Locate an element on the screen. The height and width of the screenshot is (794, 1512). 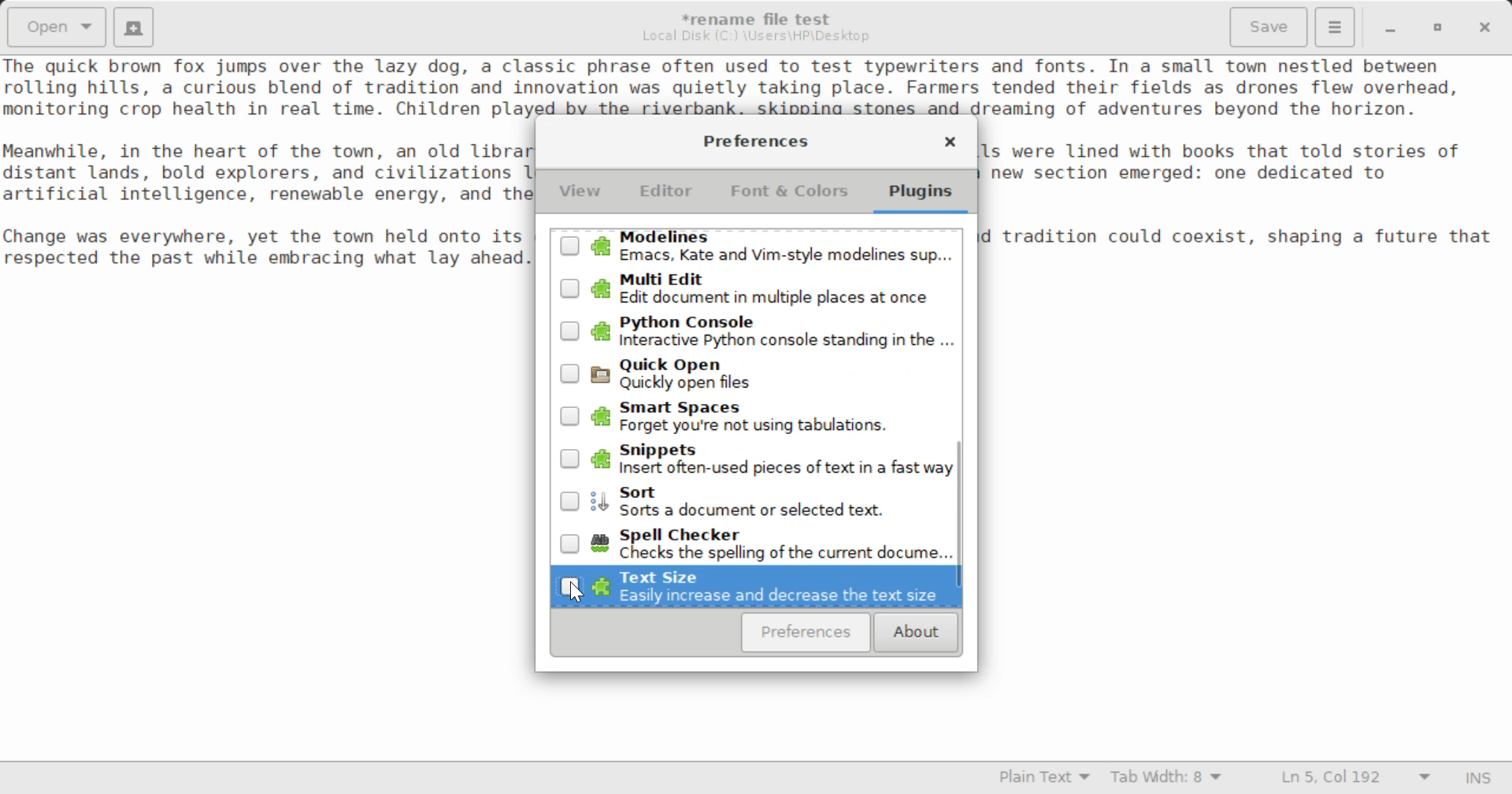
Down Arrow to Text Size Plugin Button Unselected is located at coordinates (754, 587).